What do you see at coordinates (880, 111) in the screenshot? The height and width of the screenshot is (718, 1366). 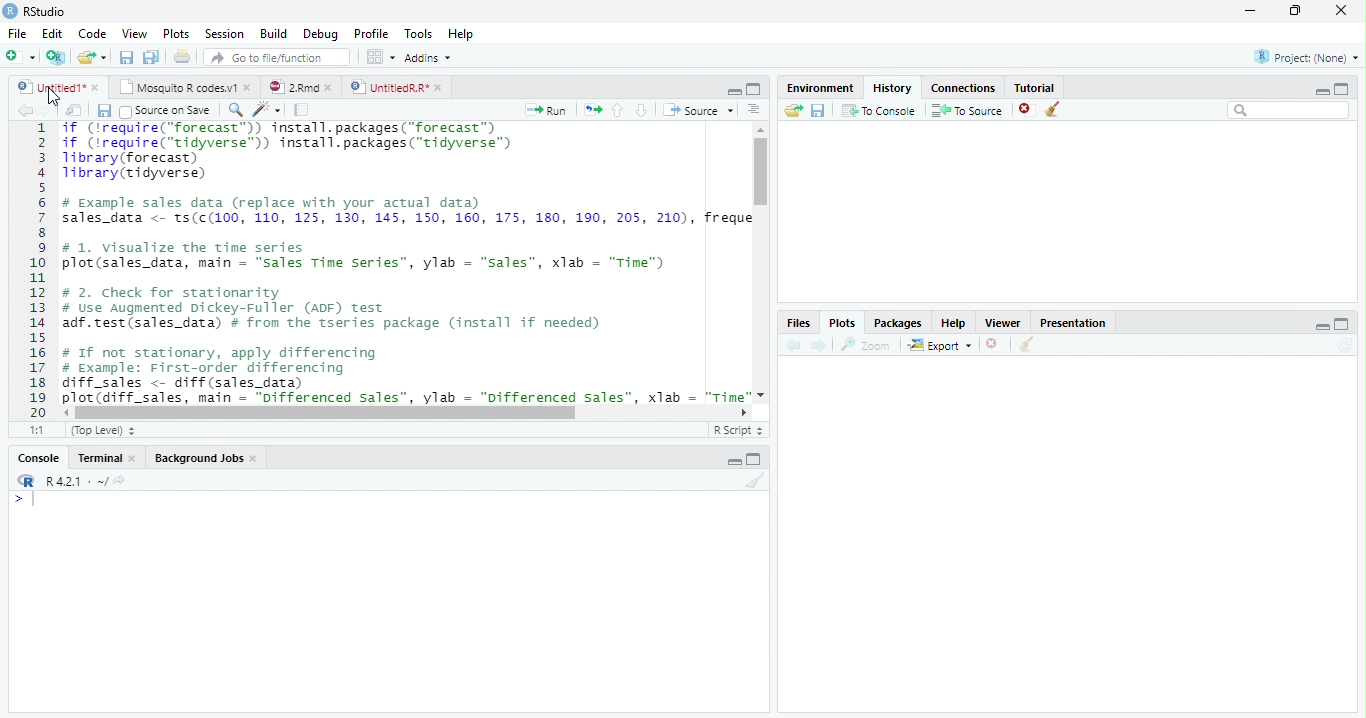 I see `To Console` at bounding box center [880, 111].